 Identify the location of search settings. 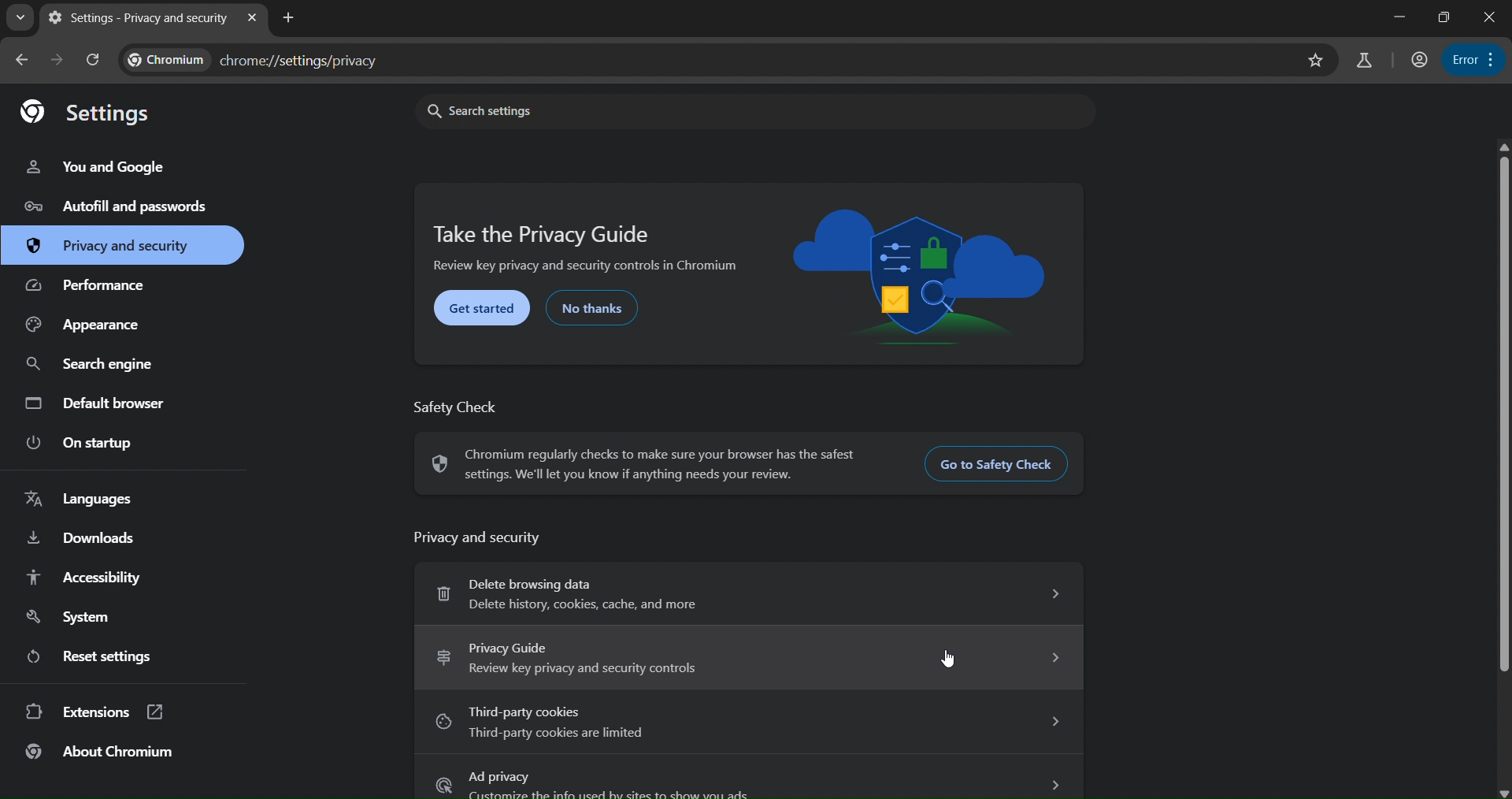
(747, 110).